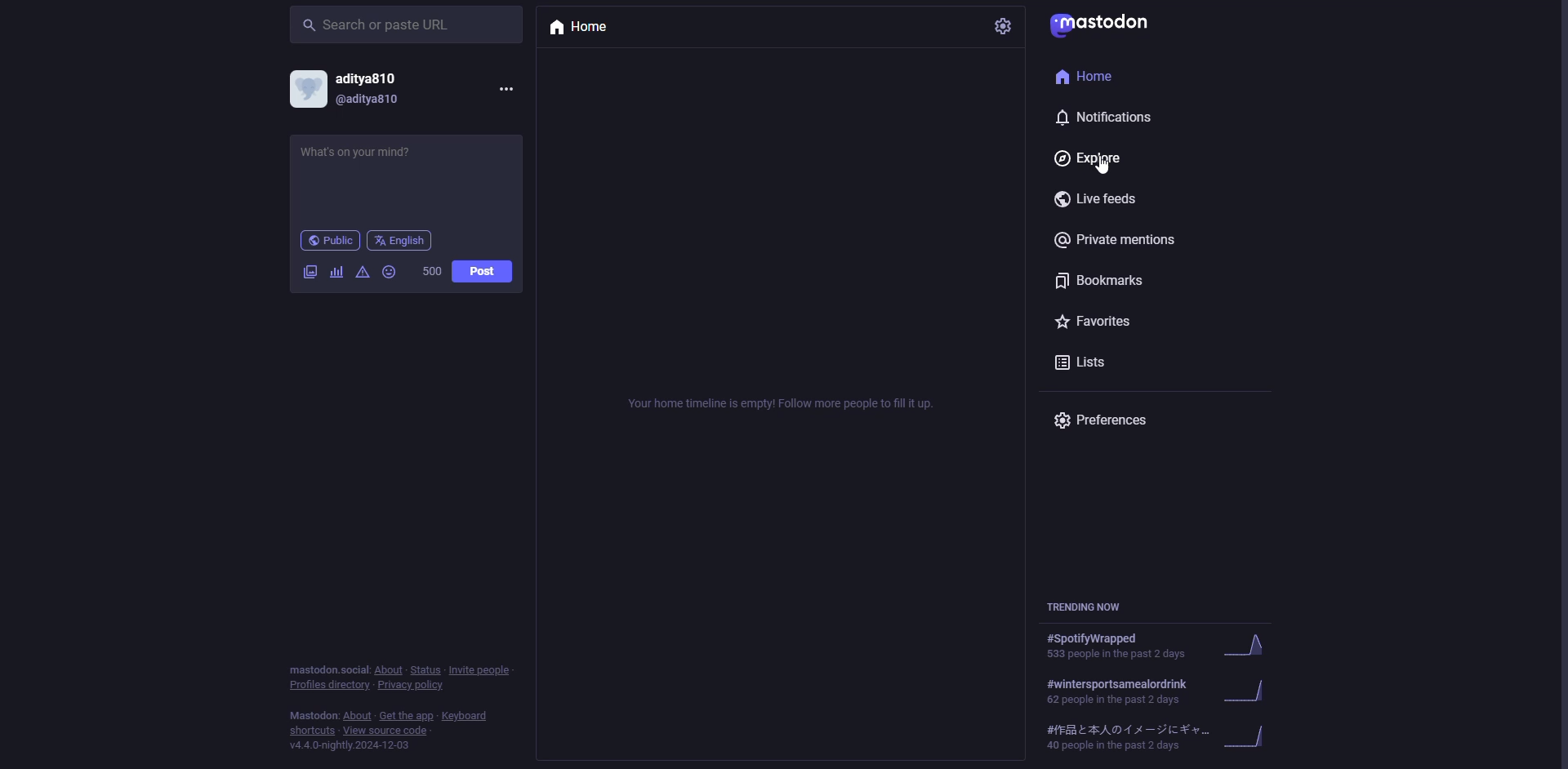  What do you see at coordinates (336, 272) in the screenshot?
I see `poll` at bounding box center [336, 272].